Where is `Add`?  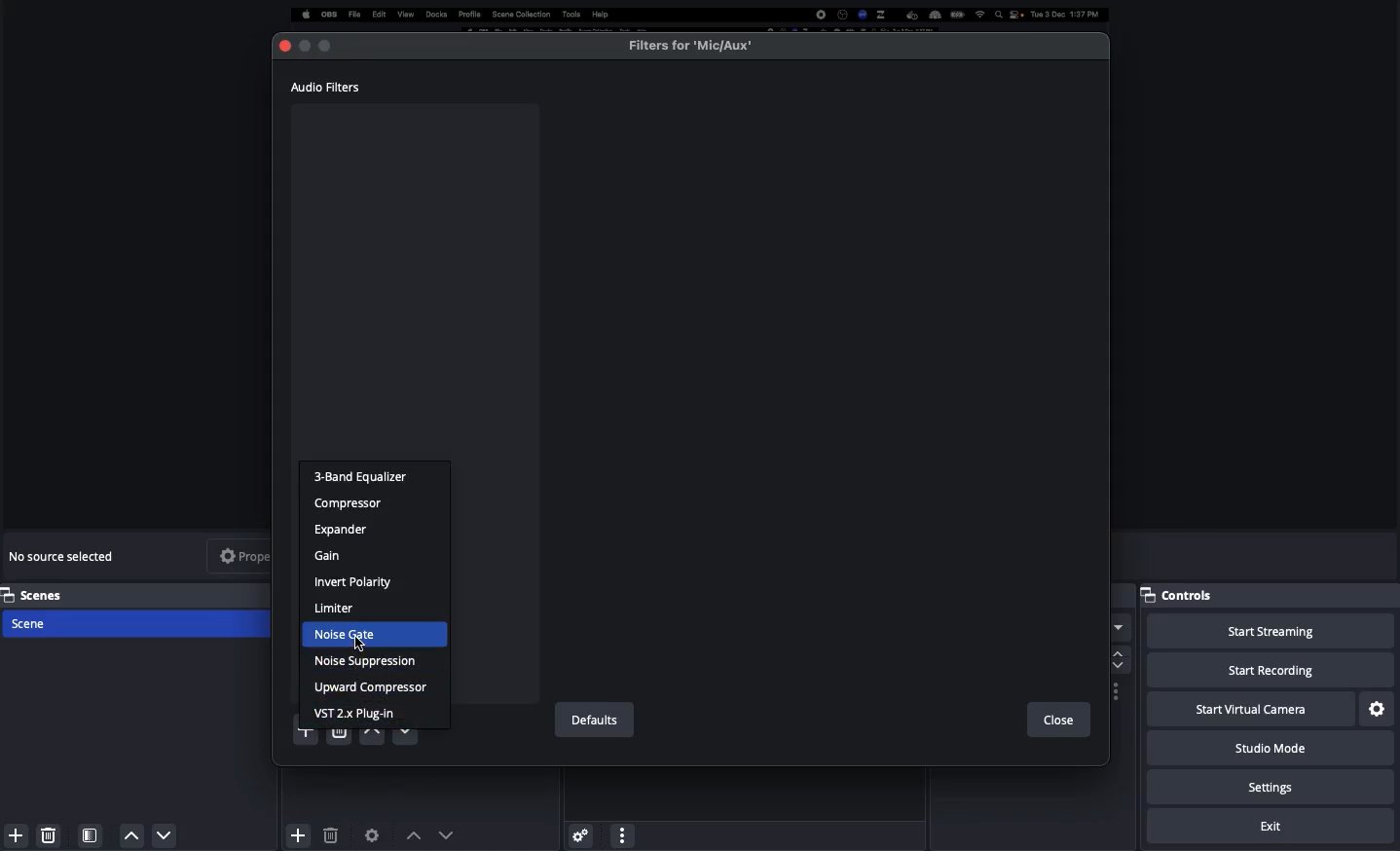 Add is located at coordinates (13, 835).